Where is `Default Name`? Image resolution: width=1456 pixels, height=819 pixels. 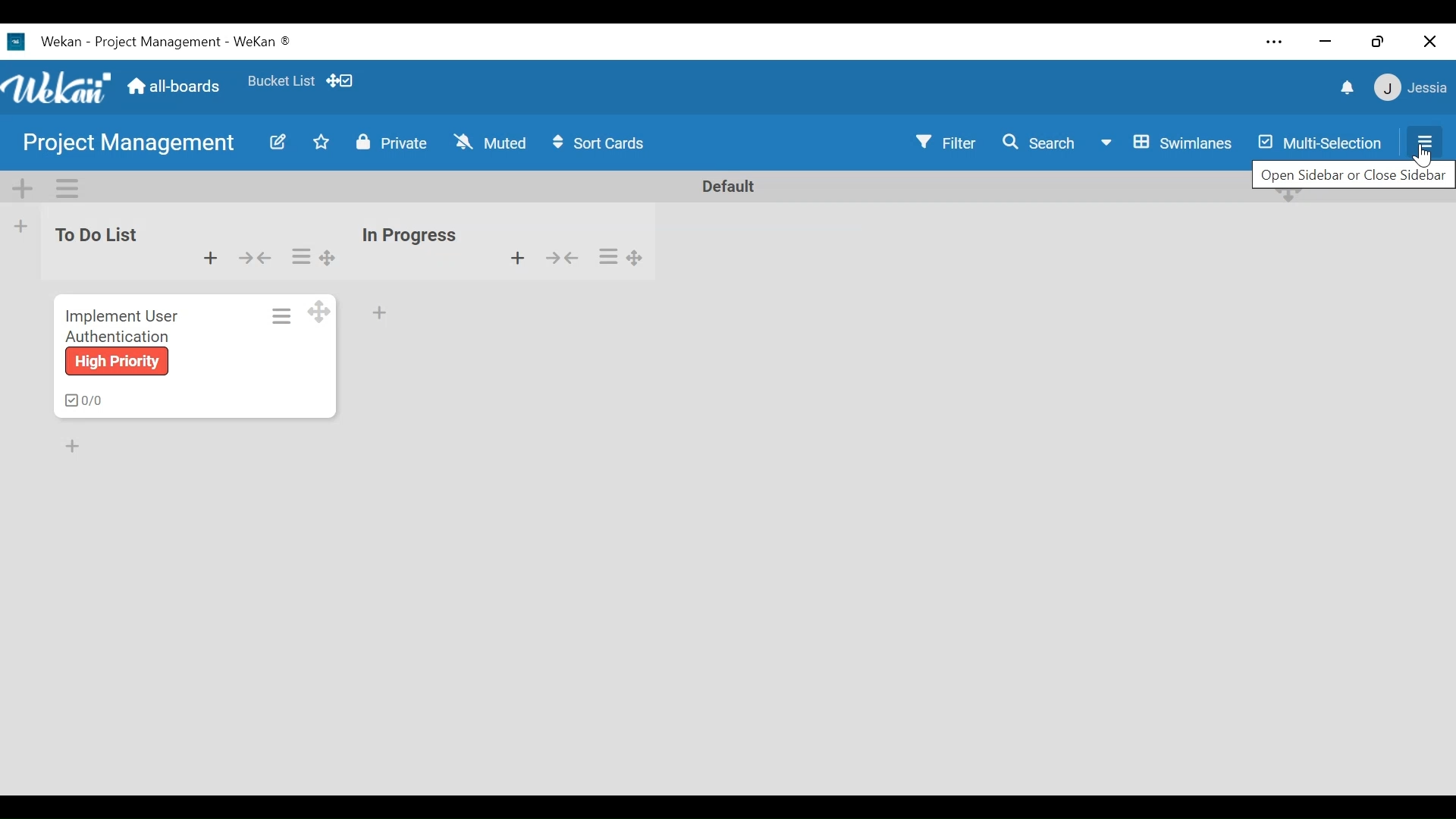
Default Name is located at coordinates (727, 186).